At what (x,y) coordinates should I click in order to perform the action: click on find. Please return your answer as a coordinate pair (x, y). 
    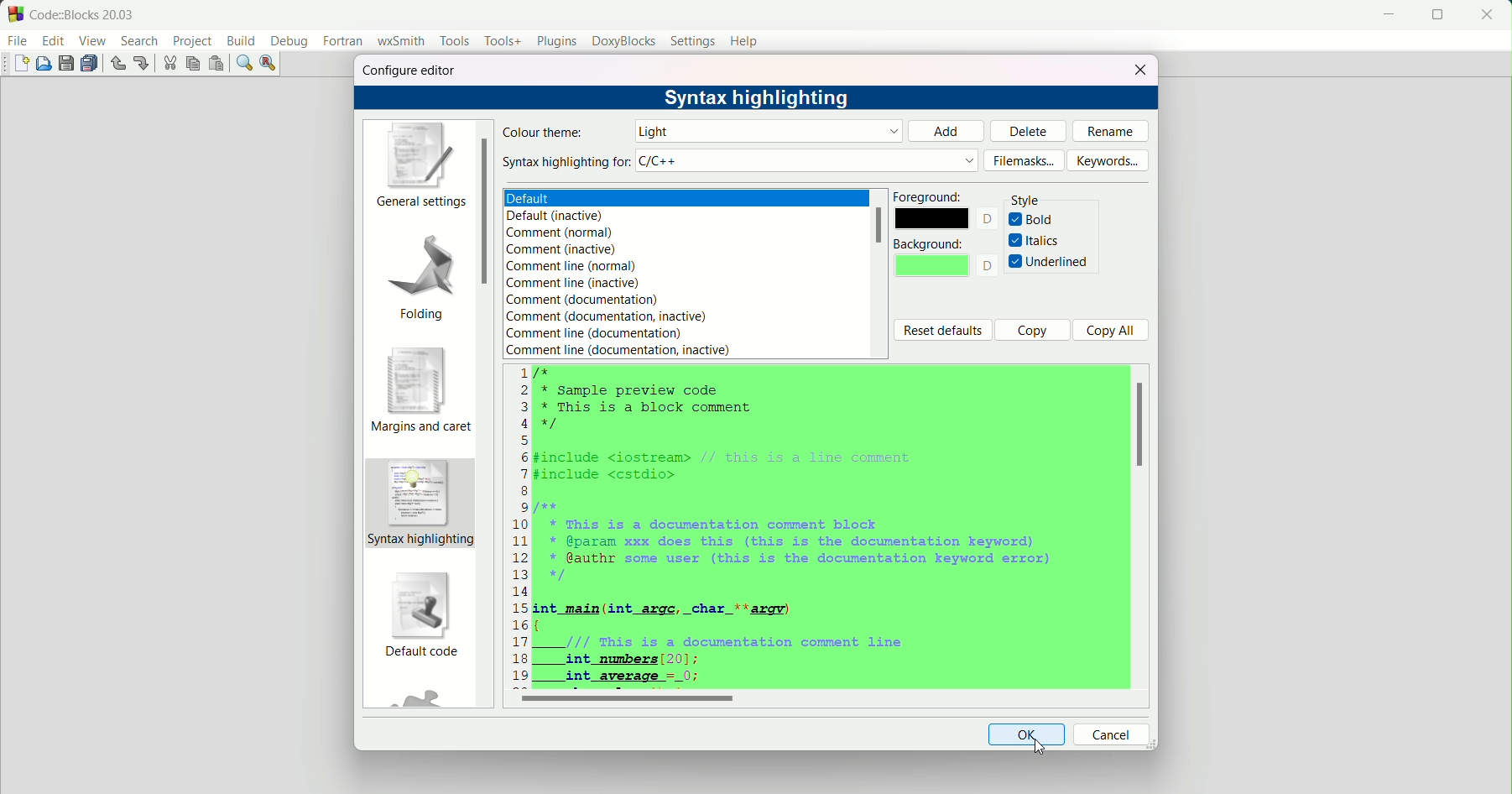
    Looking at the image, I should click on (244, 62).